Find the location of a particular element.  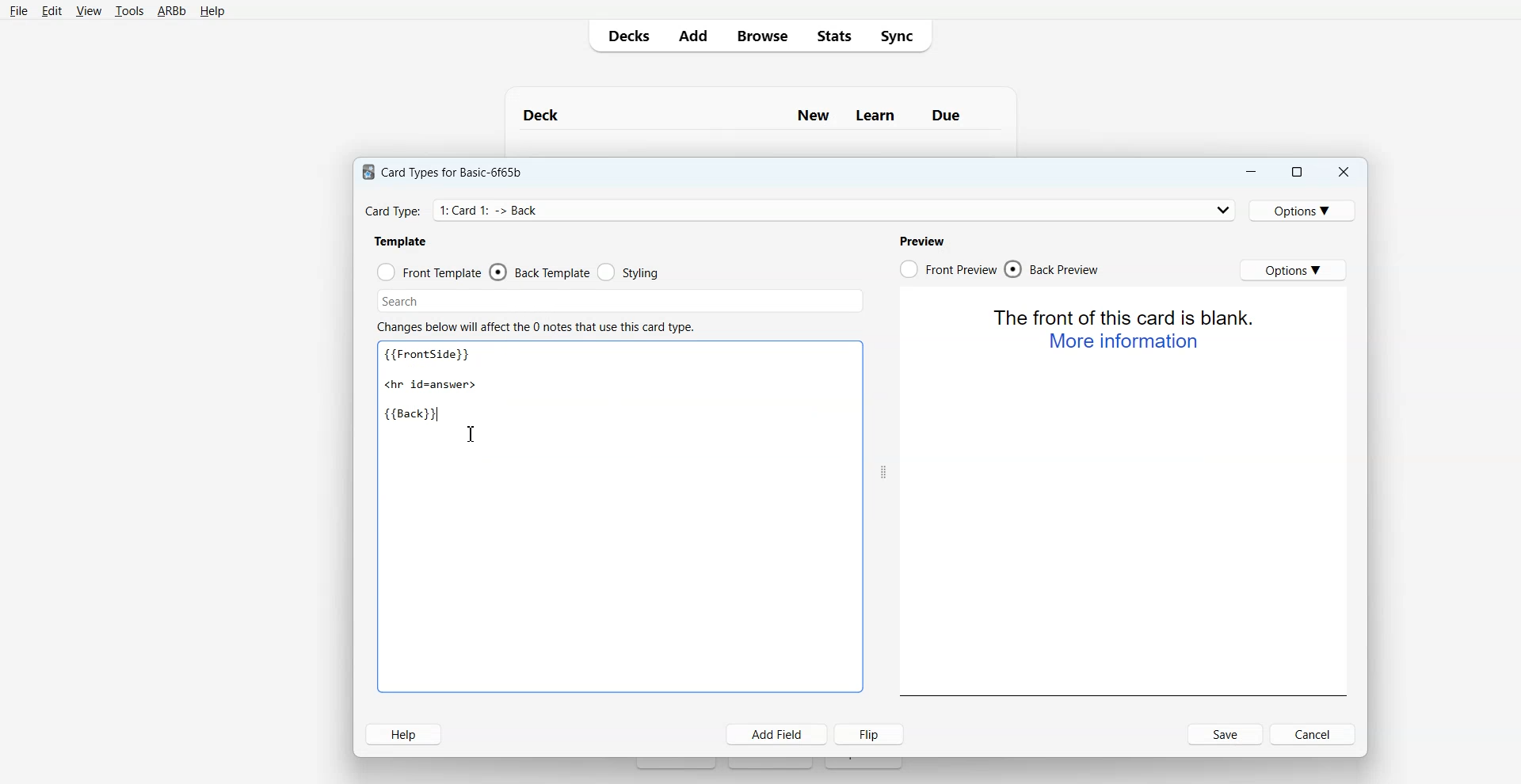

Help is located at coordinates (404, 734).